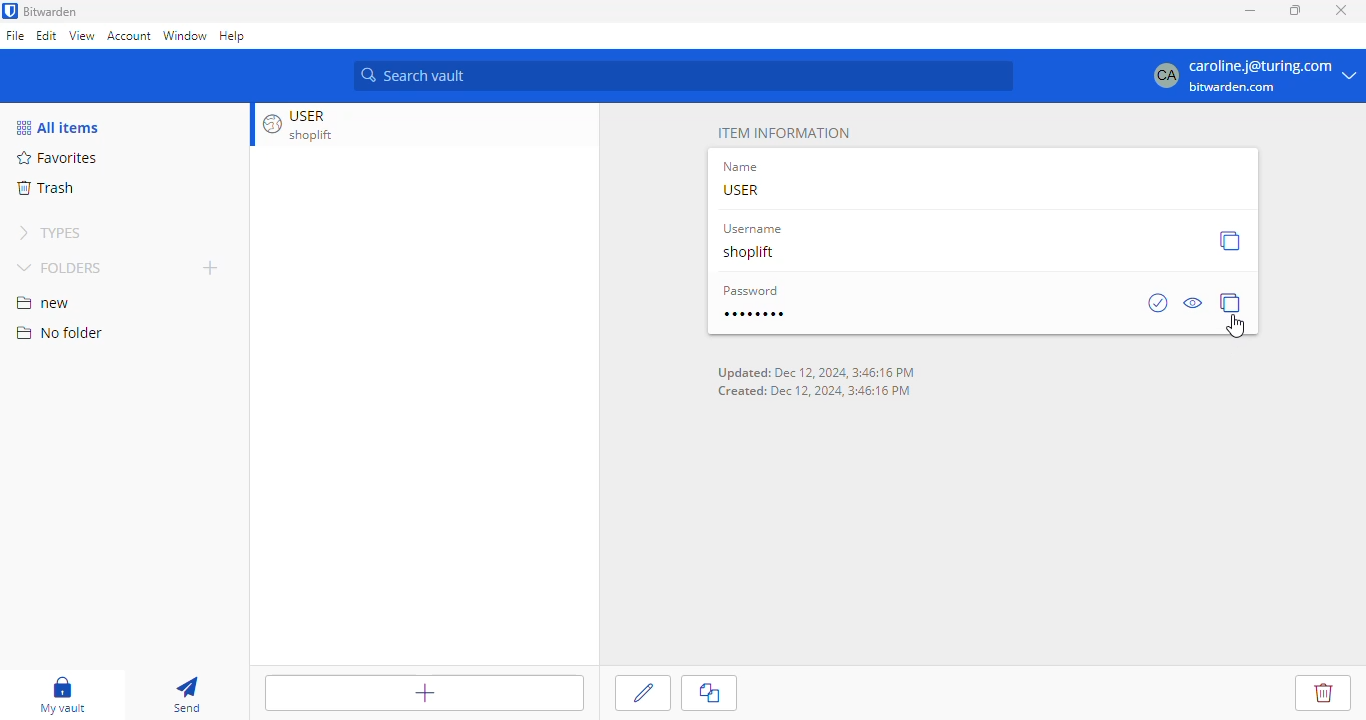 The width and height of the screenshot is (1366, 720). What do you see at coordinates (10, 10) in the screenshot?
I see `logo` at bounding box center [10, 10].